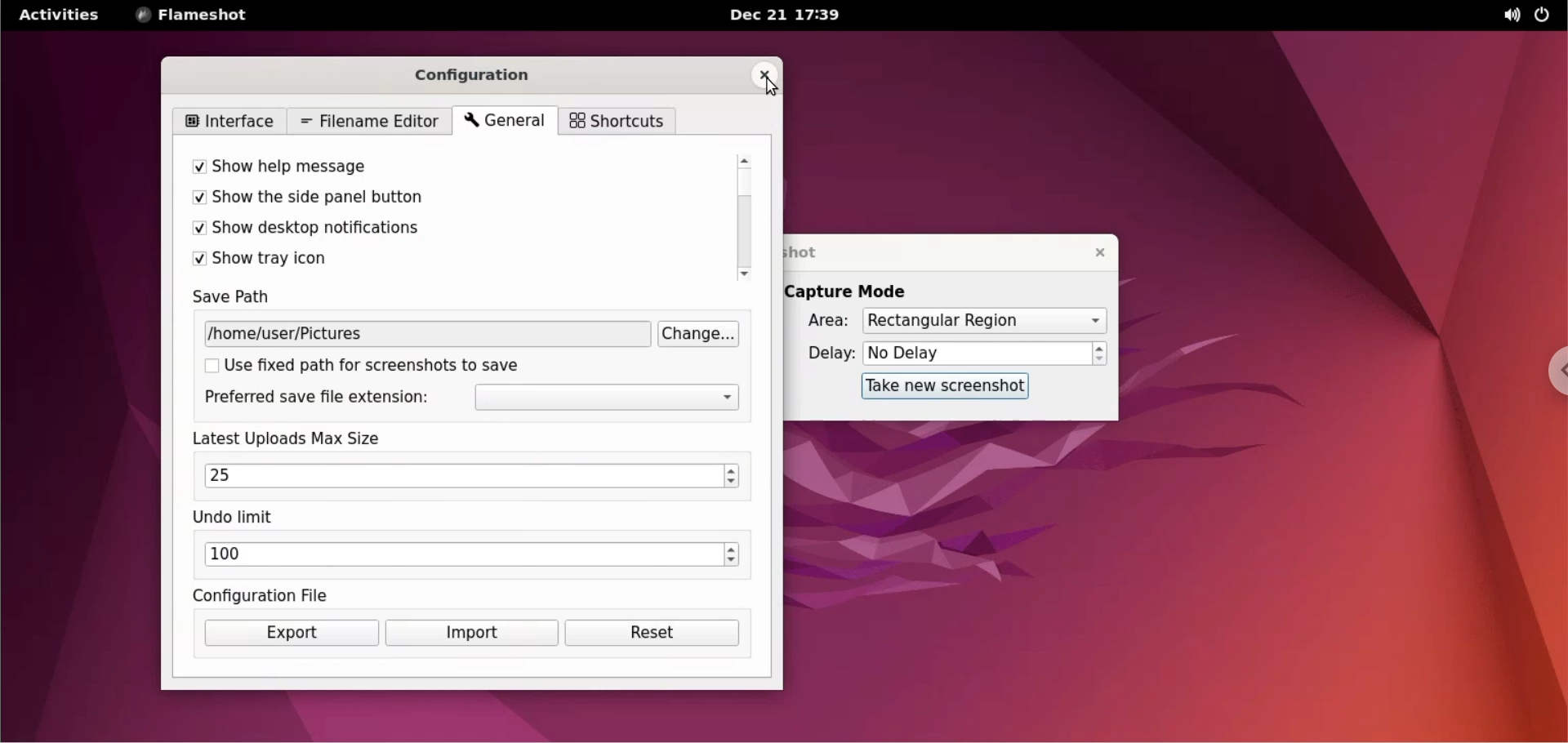  I want to click on delay:, so click(822, 354).